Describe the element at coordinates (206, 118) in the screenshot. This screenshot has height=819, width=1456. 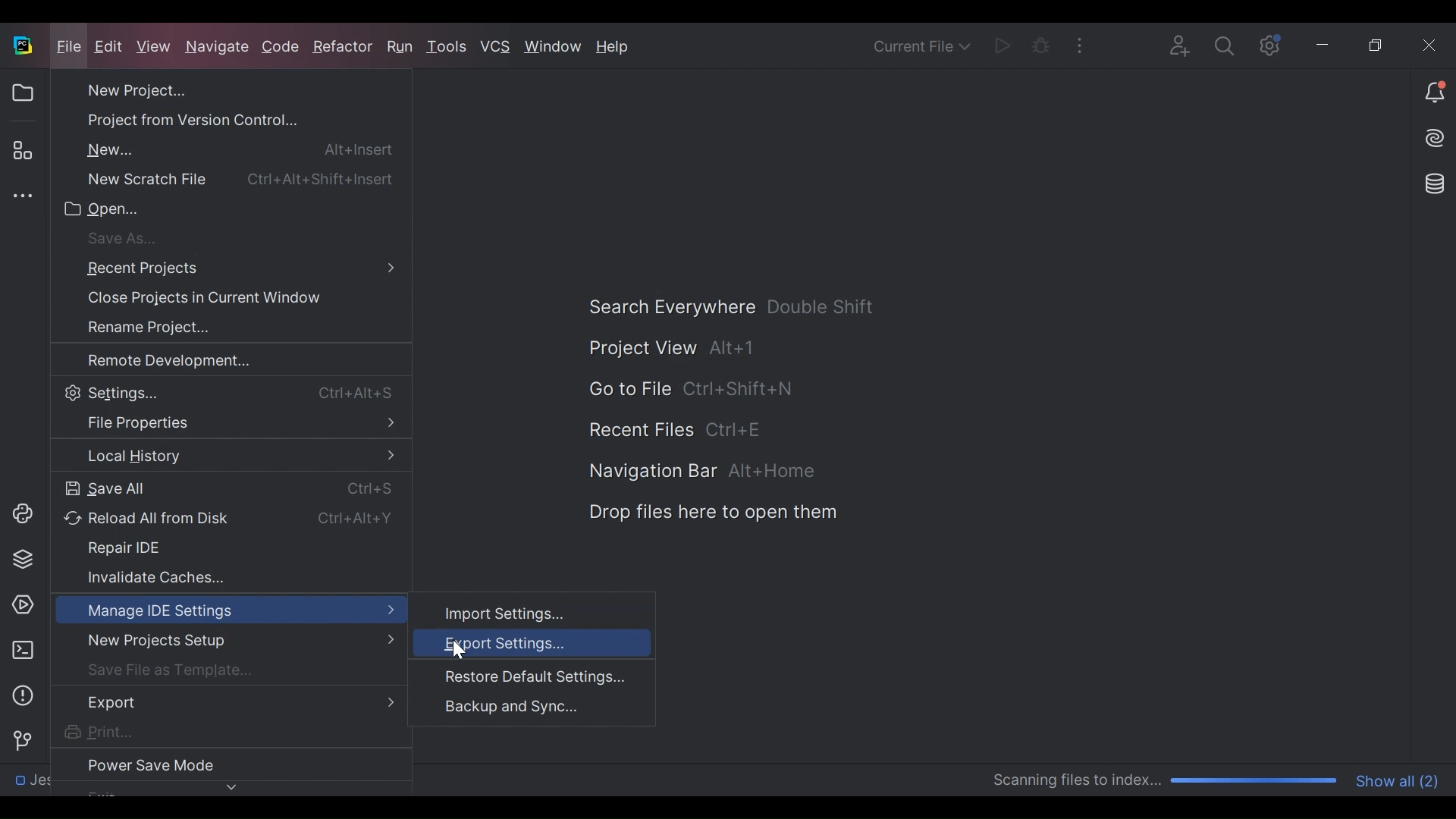
I see `Project from Version Control` at that location.